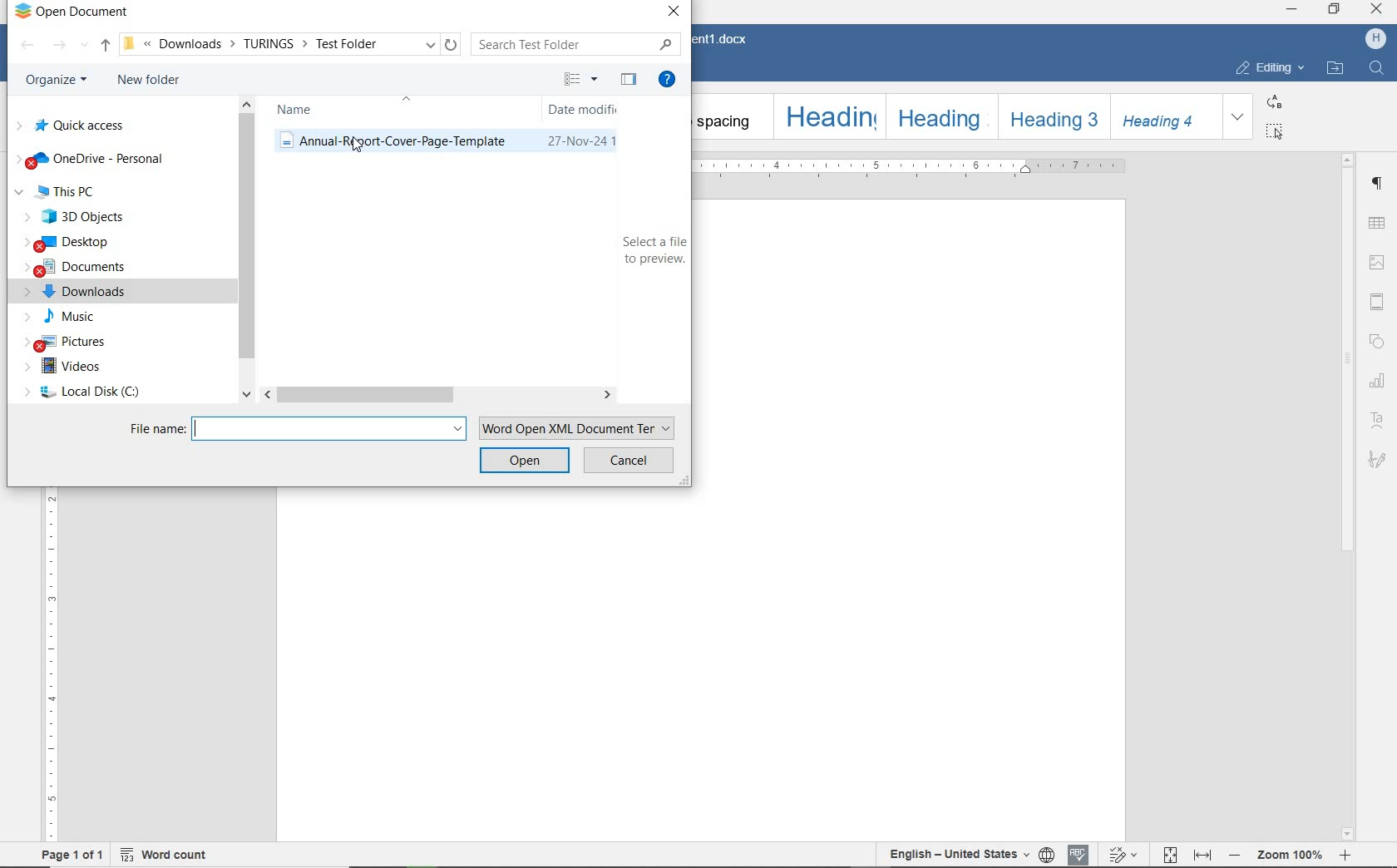 The width and height of the screenshot is (1397, 868). Describe the element at coordinates (582, 110) in the screenshot. I see `DATE MODIFIED` at that location.